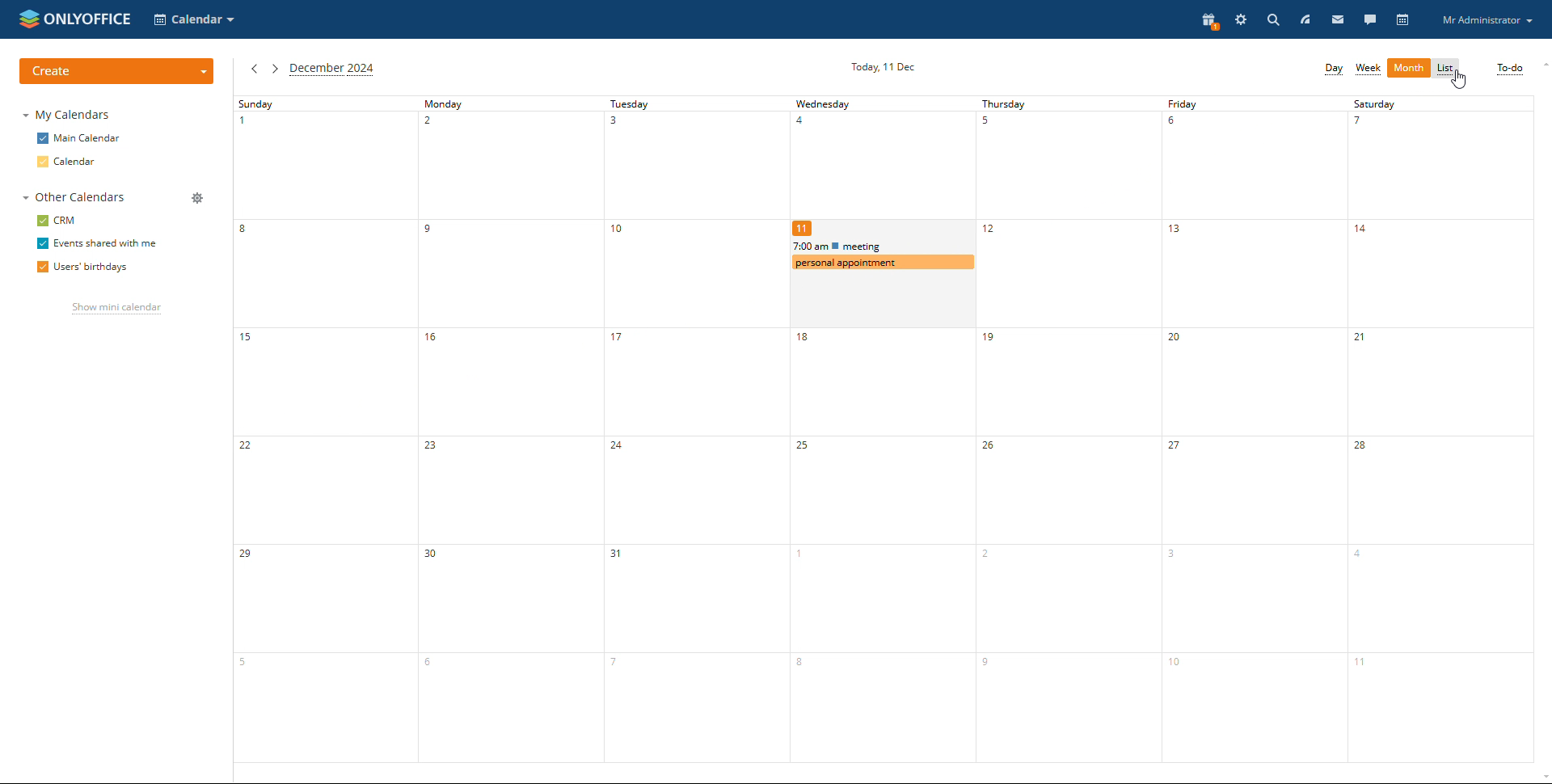 The image size is (1552, 784). I want to click on talk, so click(1370, 19).